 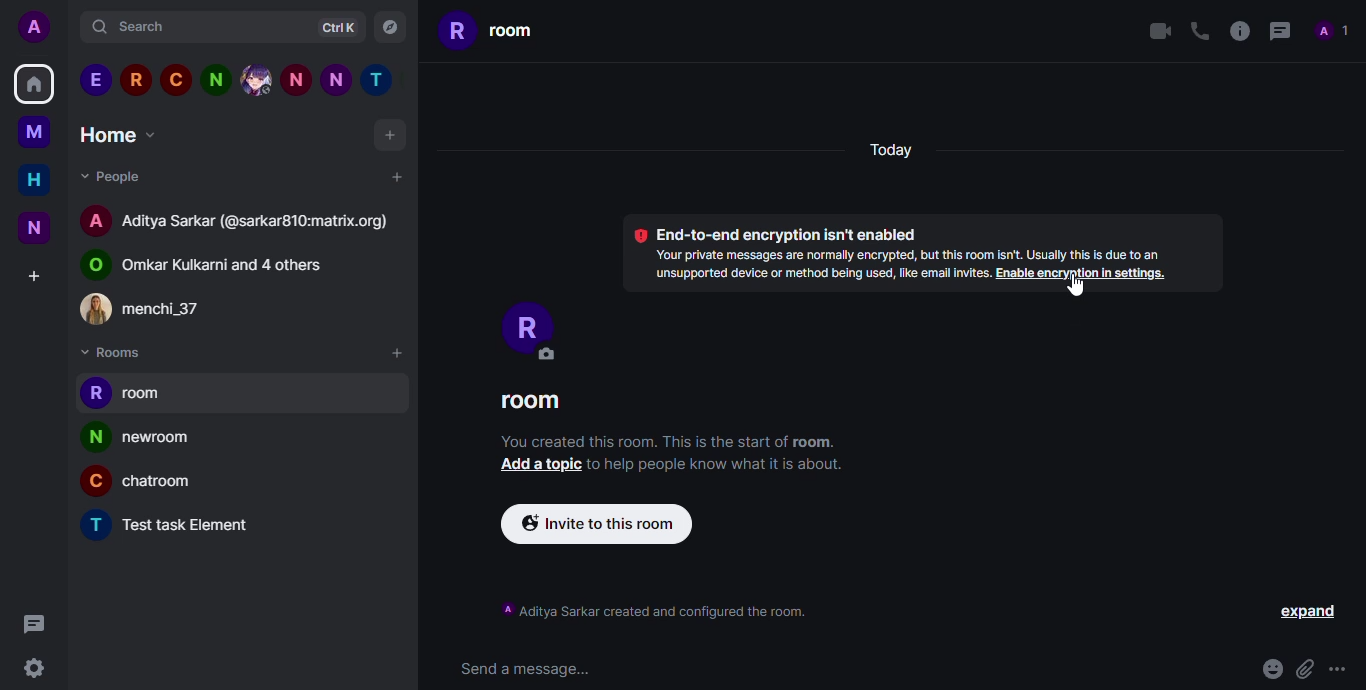 I want to click on add, so click(x=392, y=138).